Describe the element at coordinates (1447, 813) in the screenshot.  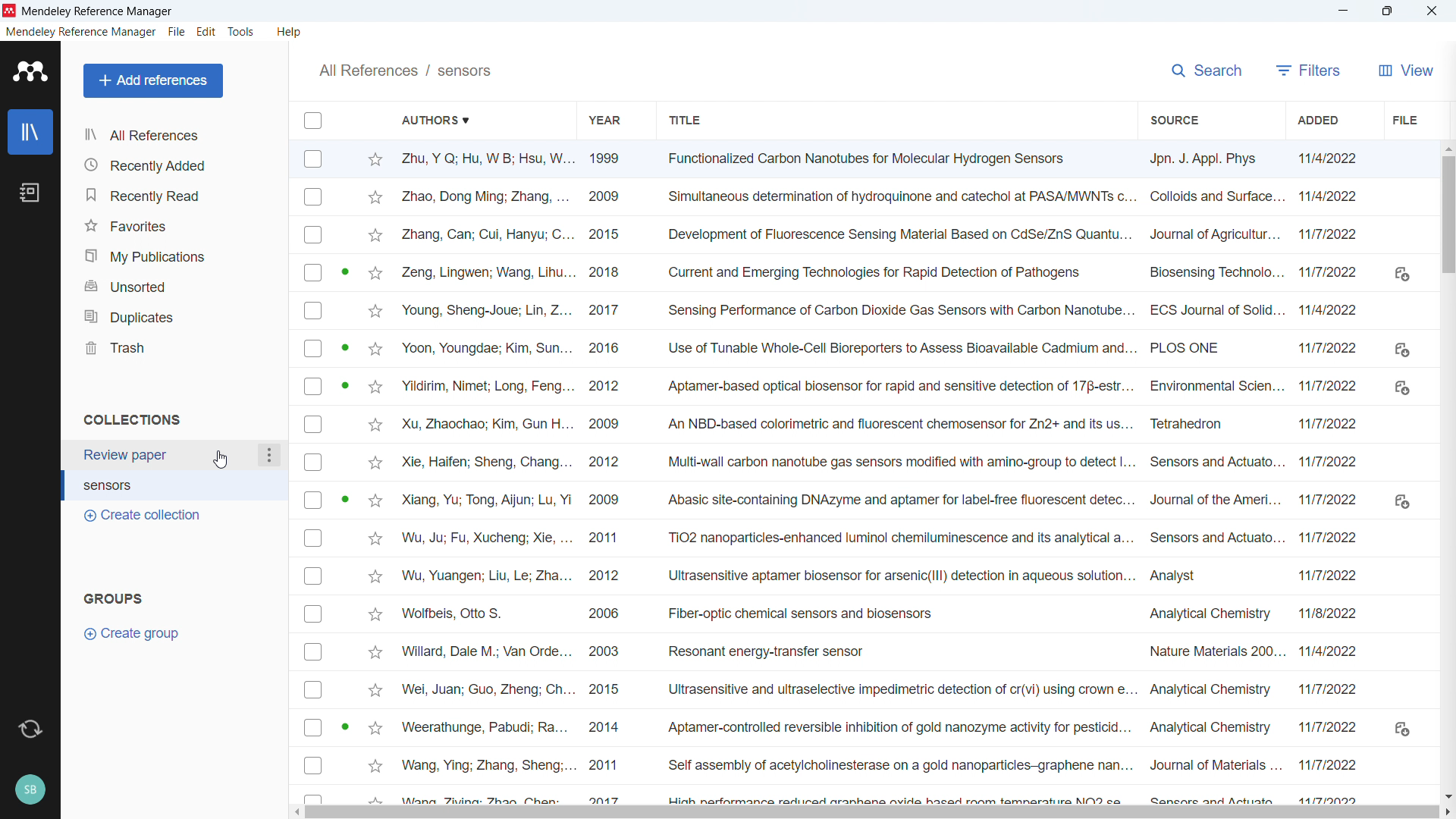
I see `Scroll right ` at that location.